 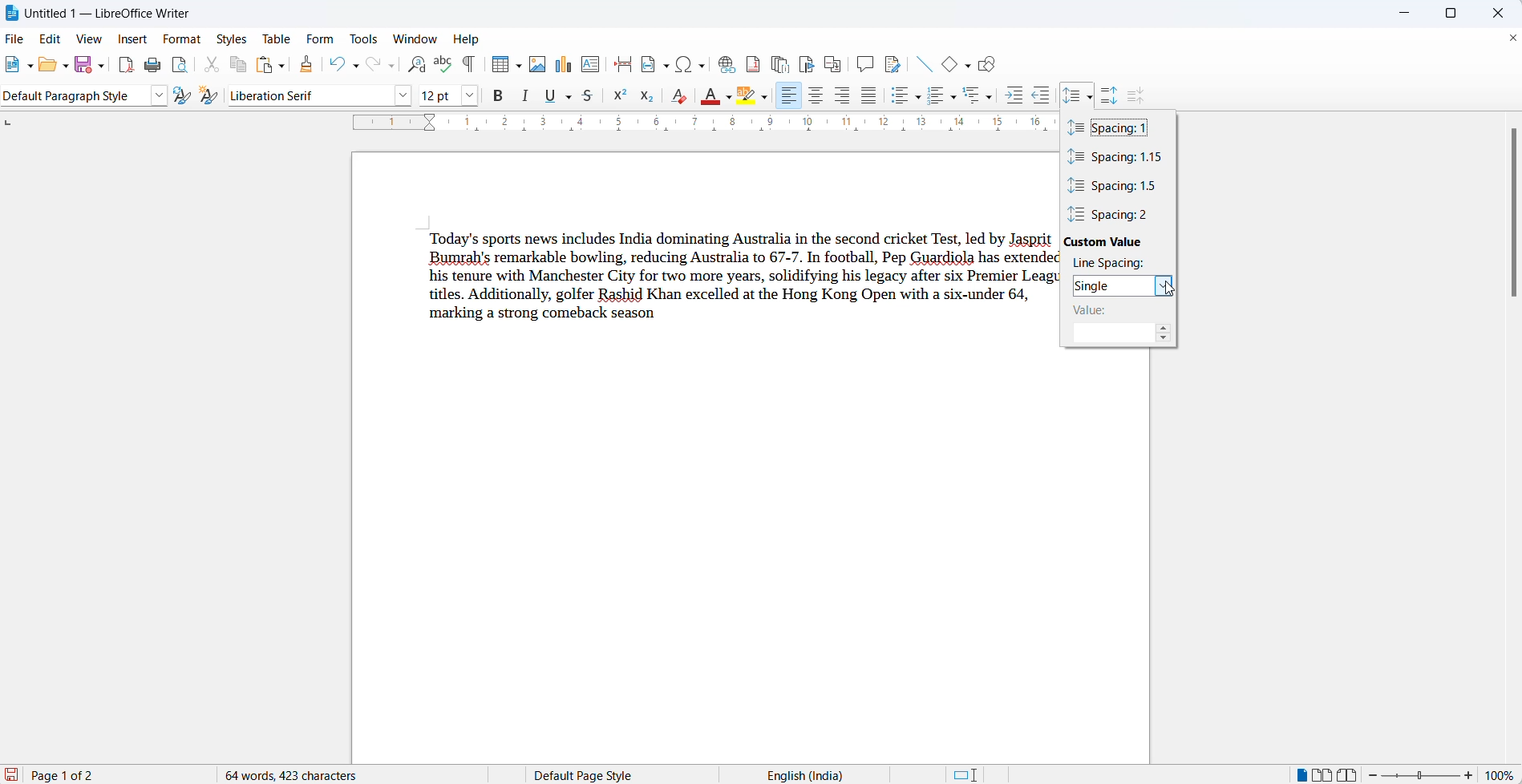 What do you see at coordinates (1103, 312) in the screenshot?
I see `value` at bounding box center [1103, 312].